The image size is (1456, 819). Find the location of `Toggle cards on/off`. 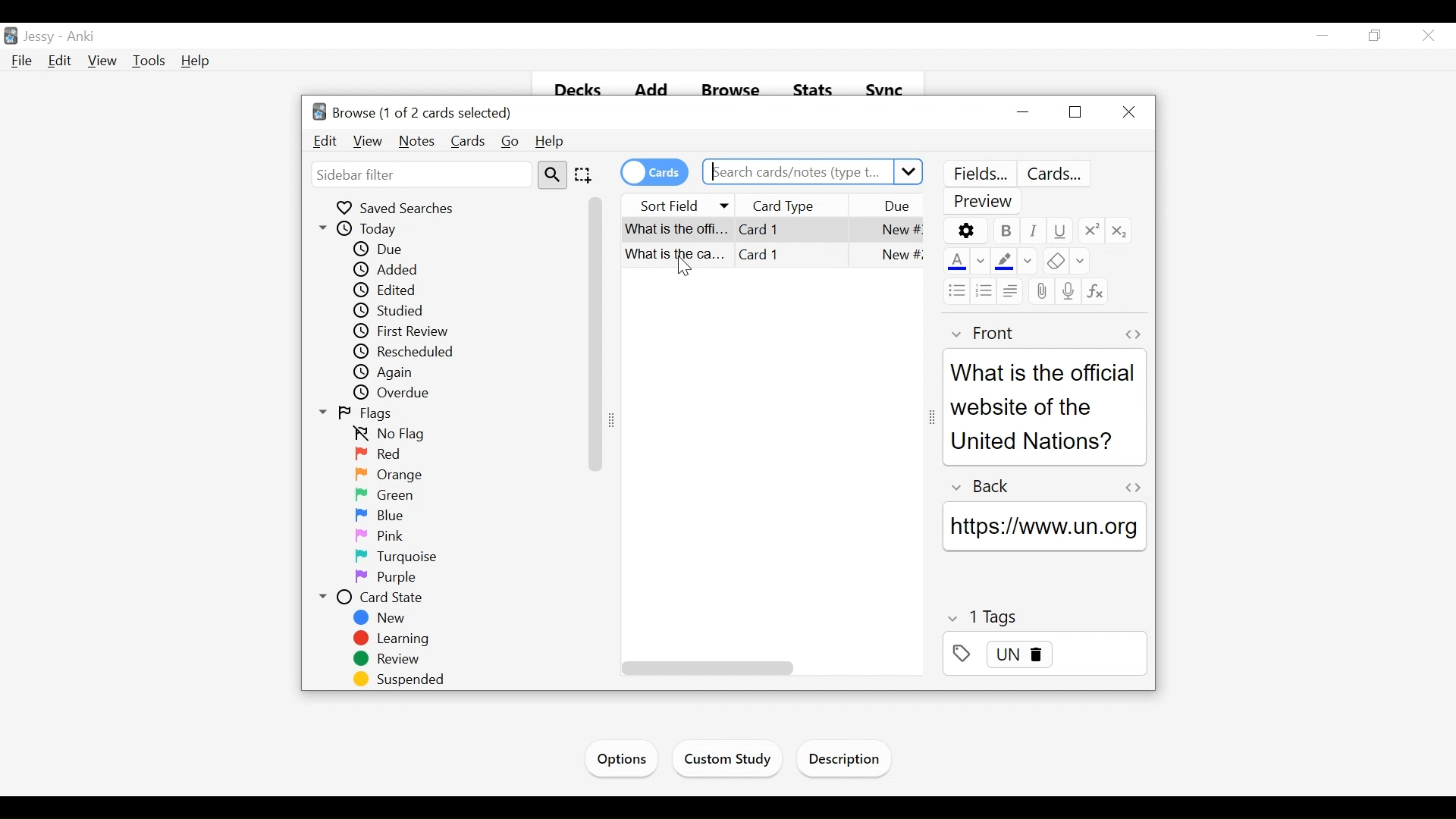

Toggle cards on/off is located at coordinates (653, 172).